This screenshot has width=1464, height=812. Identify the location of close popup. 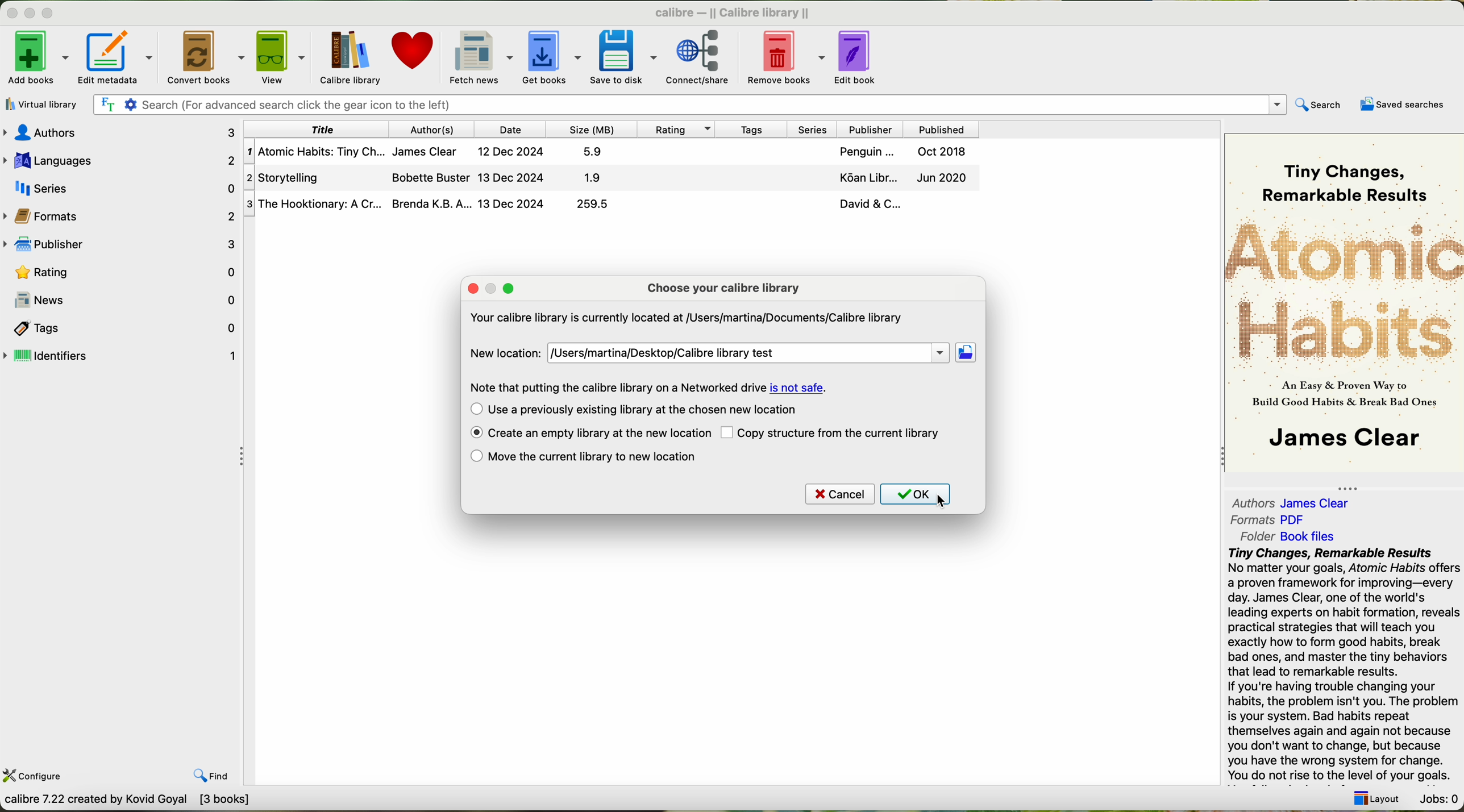
(474, 289).